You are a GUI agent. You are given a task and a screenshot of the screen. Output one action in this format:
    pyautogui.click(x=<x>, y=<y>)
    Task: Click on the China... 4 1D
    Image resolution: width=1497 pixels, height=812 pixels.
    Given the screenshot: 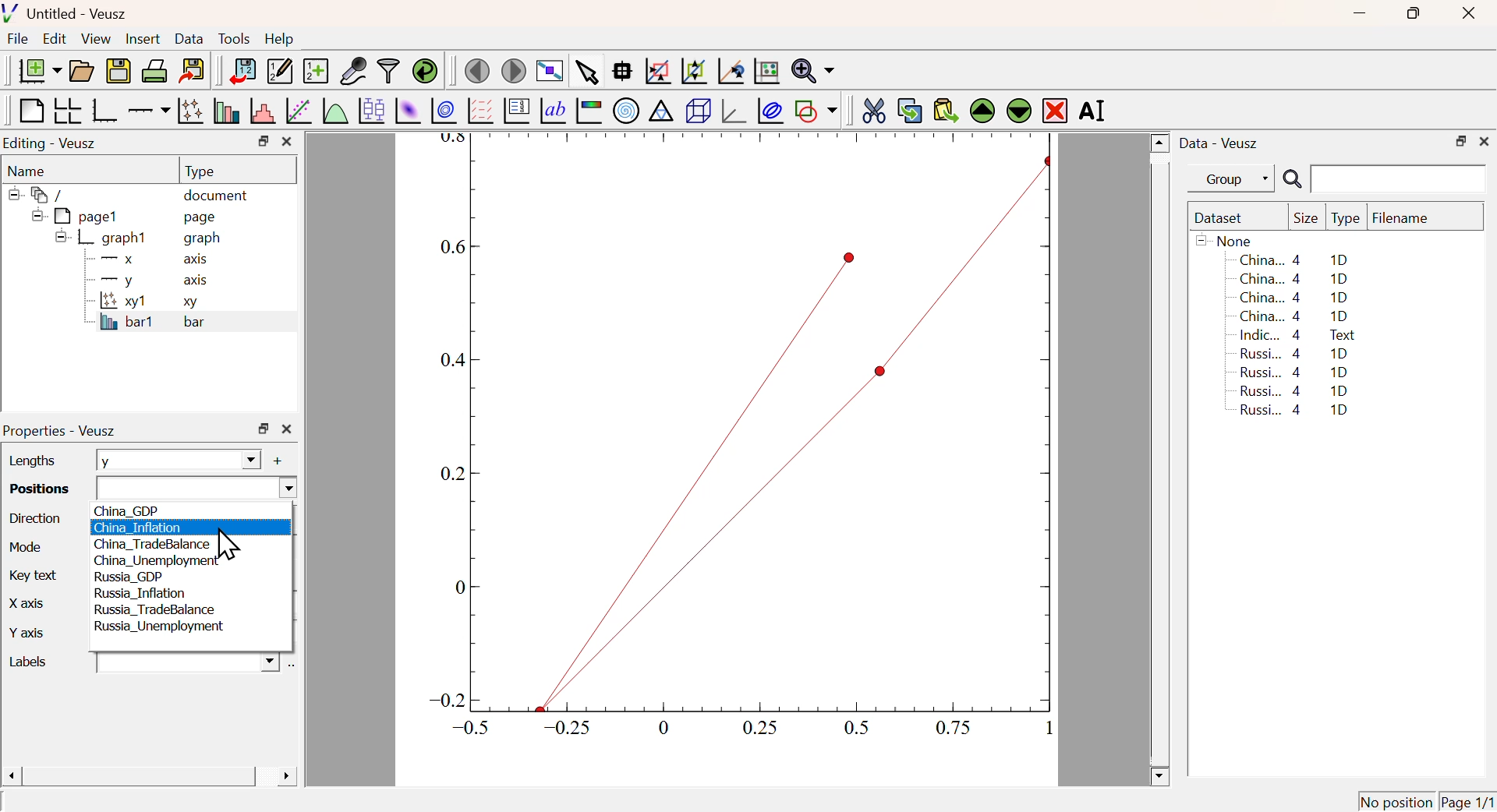 What is the action you would take?
    pyautogui.click(x=1296, y=298)
    